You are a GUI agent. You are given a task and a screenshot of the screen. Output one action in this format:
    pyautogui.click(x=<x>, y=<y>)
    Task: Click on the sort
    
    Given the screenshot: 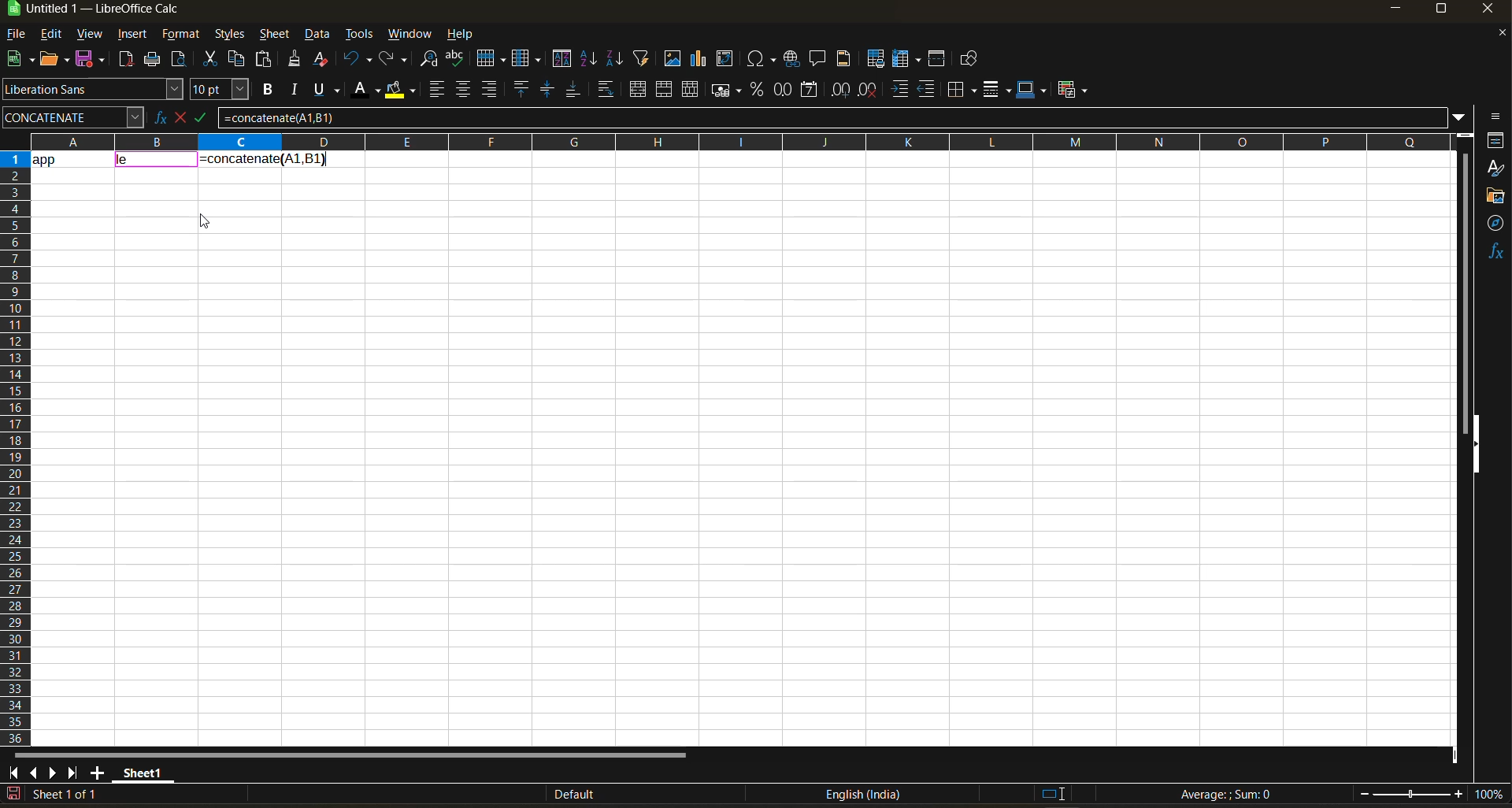 What is the action you would take?
    pyautogui.click(x=565, y=59)
    